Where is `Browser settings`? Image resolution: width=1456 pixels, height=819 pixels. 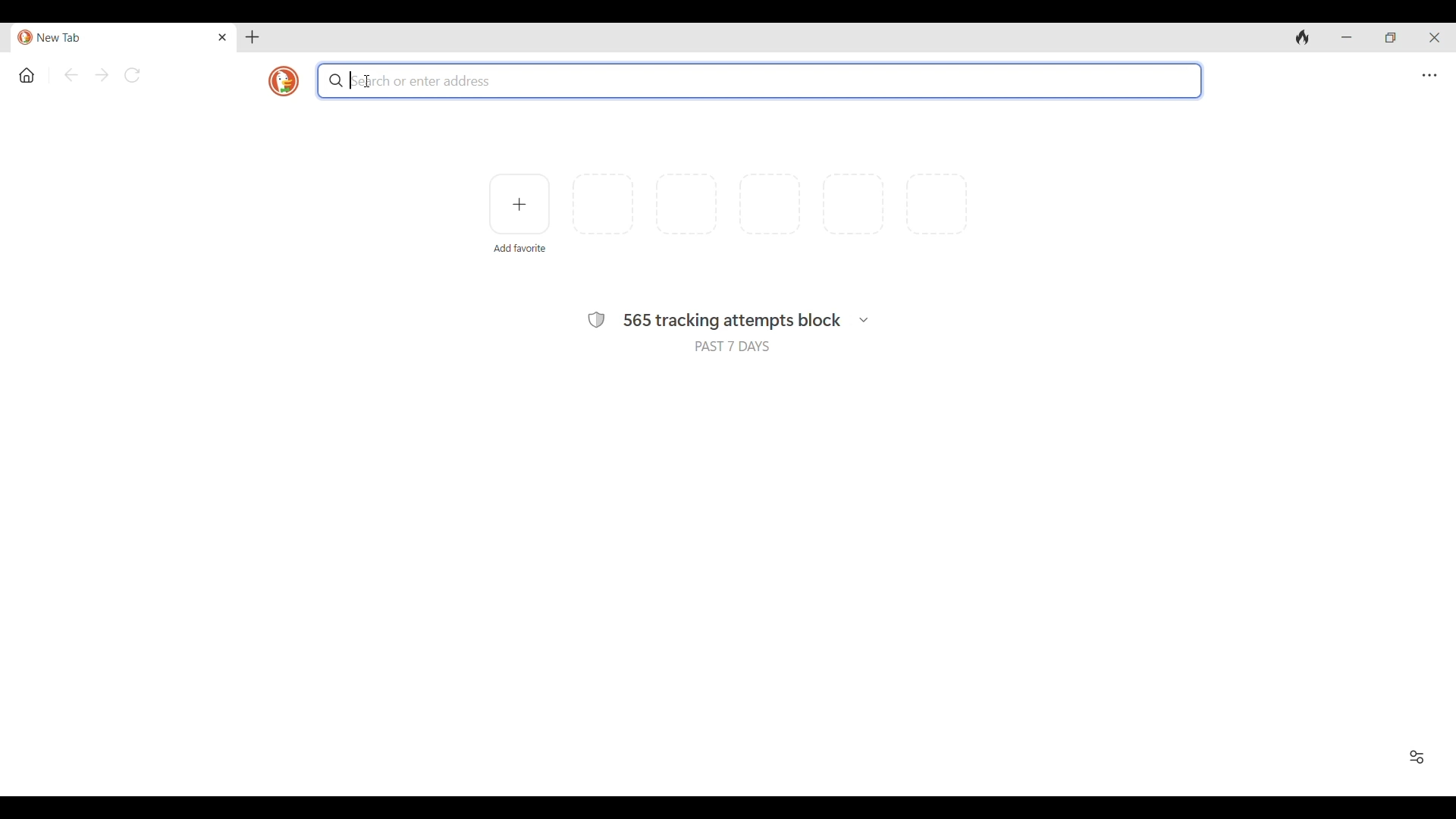
Browser settings is located at coordinates (1429, 76).